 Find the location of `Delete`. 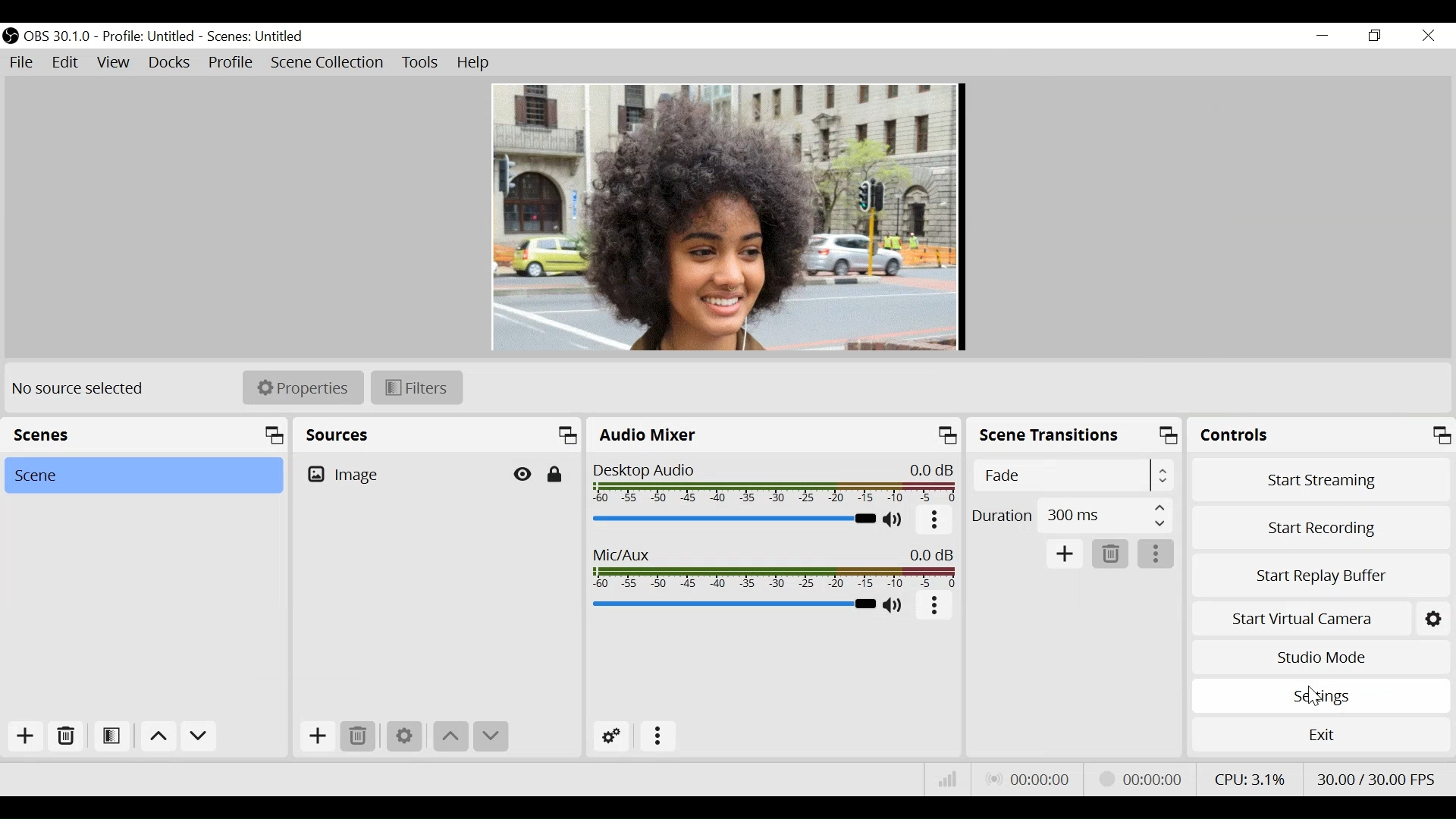

Delete is located at coordinates (359, 739).